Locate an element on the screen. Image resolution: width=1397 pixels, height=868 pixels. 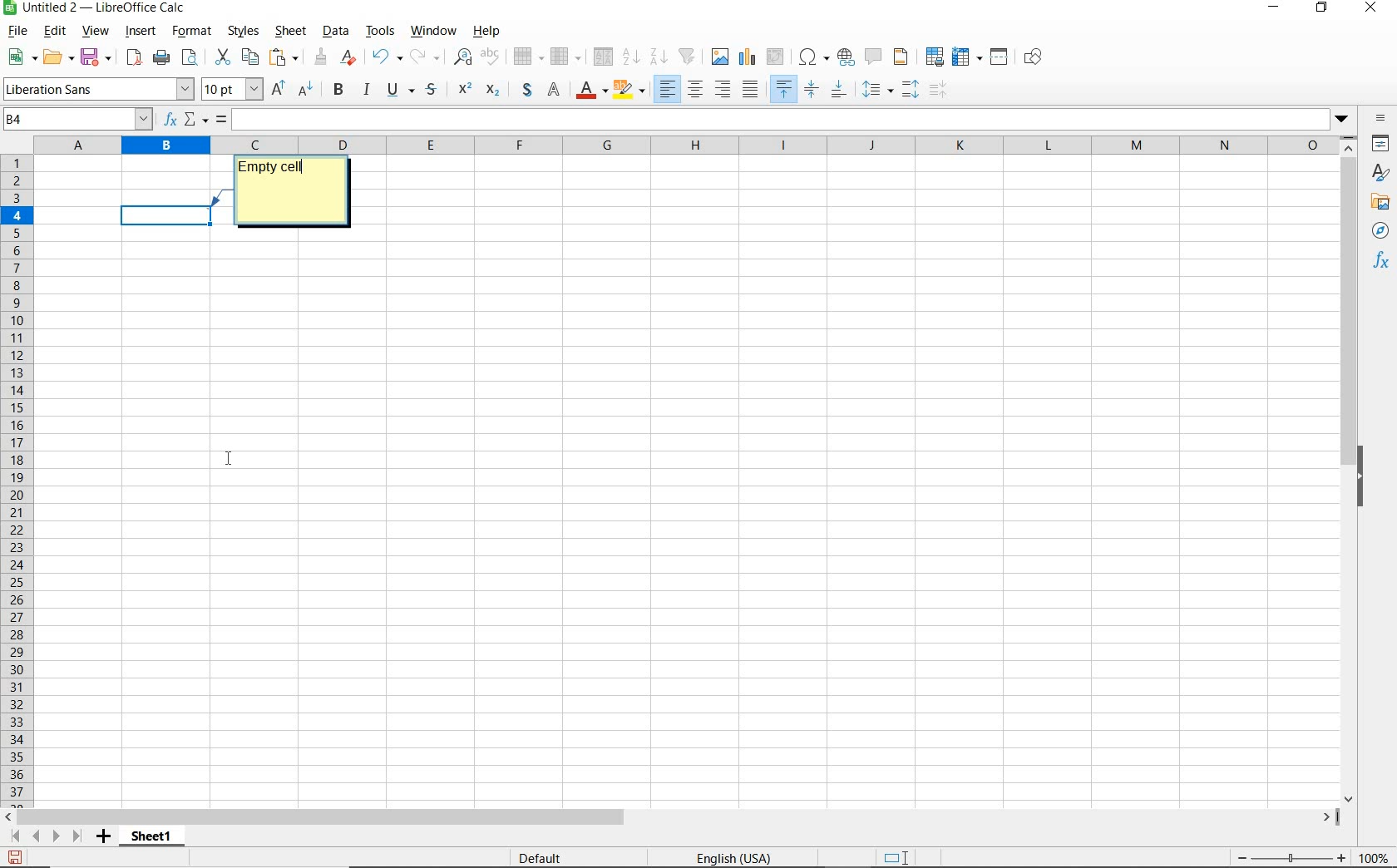
columns is located at coordinates (688, 145).